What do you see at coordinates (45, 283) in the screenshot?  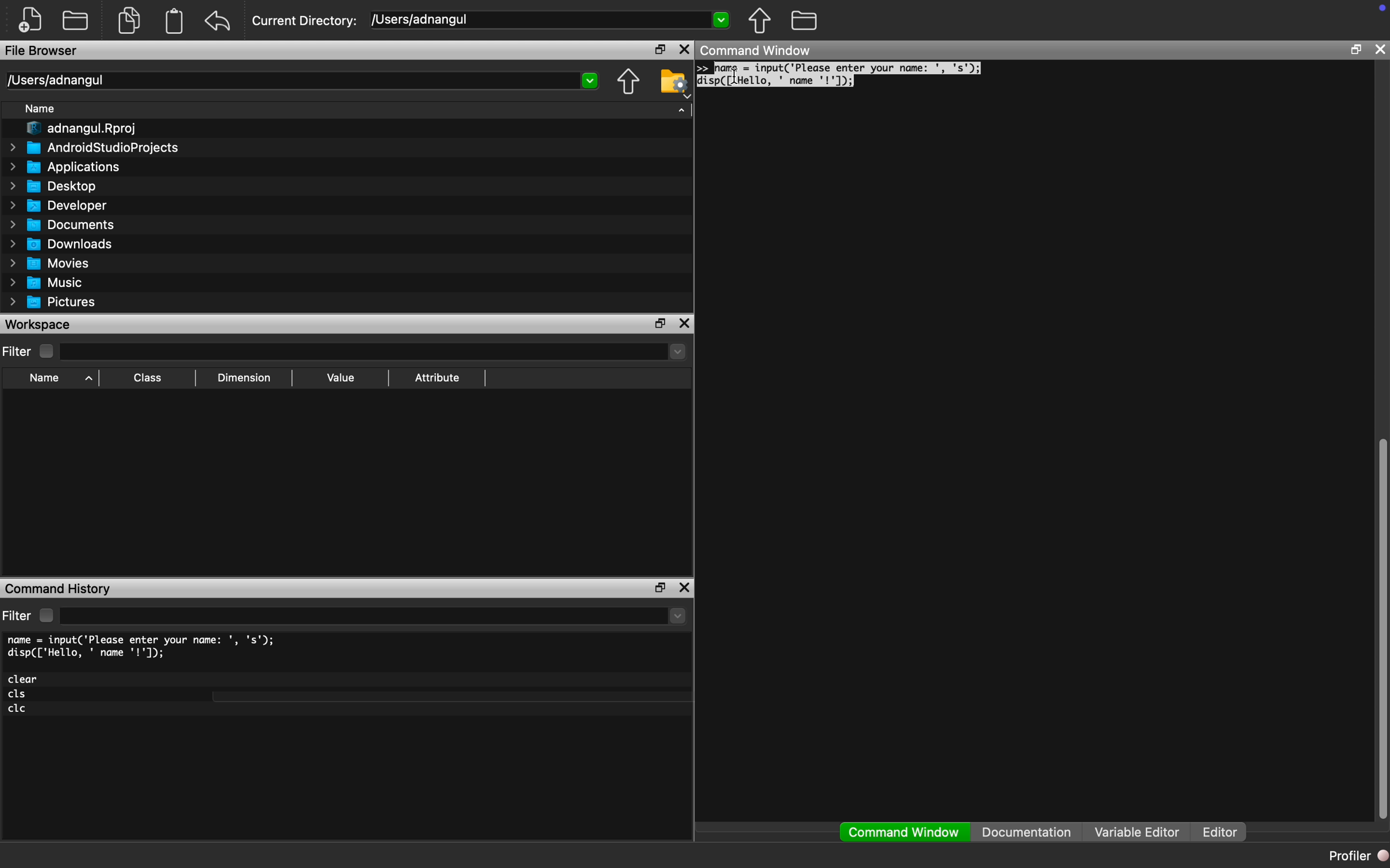 I see `Music` at bounding box center [45, 283].